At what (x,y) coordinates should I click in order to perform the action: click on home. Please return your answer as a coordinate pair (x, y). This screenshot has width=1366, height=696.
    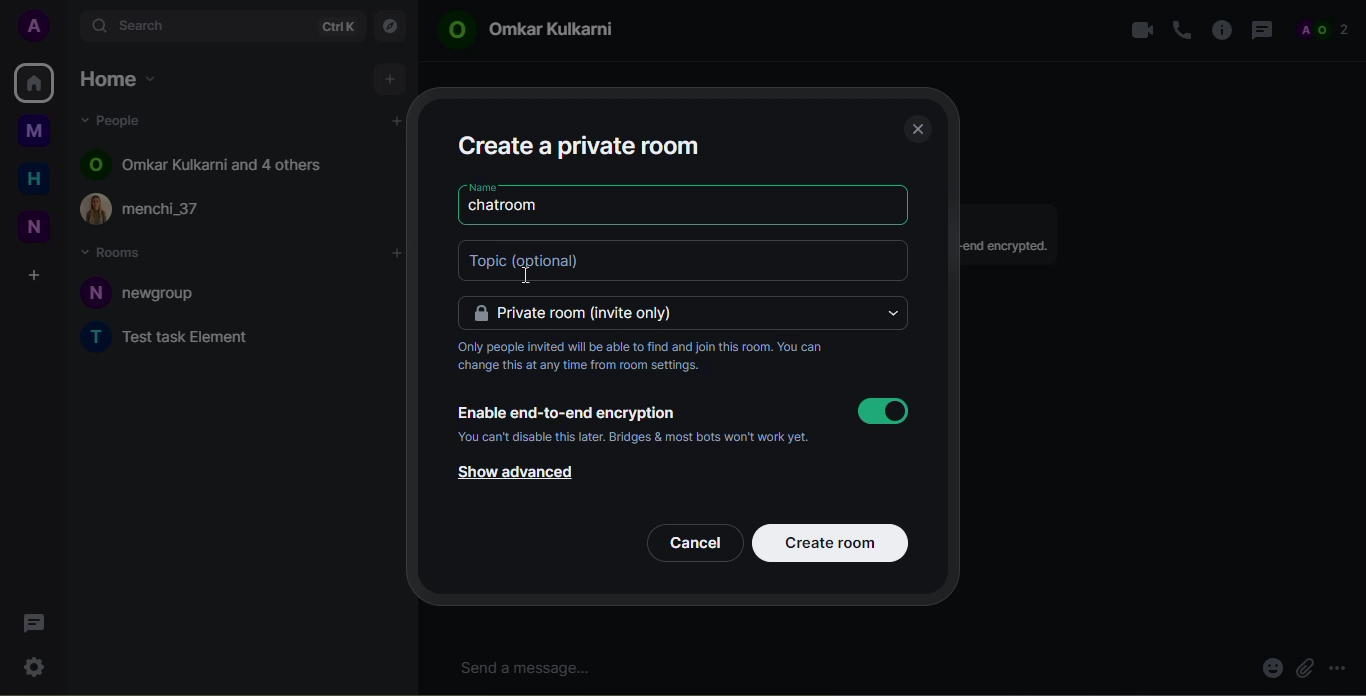
    Looking at the image, I should click on (122, 82).